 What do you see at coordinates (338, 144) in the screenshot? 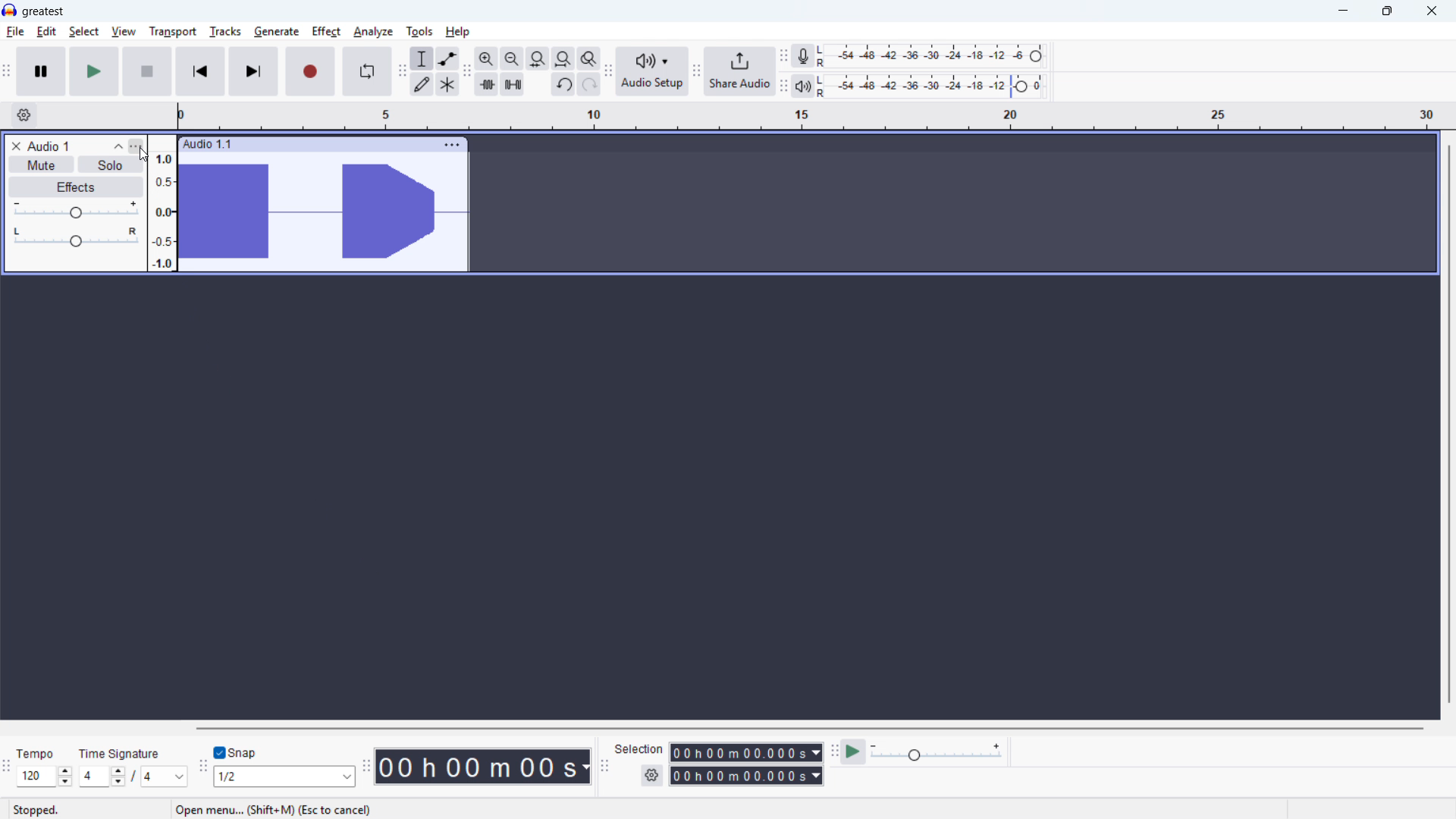
I see `click to drag` at bounding box center [338, 144].